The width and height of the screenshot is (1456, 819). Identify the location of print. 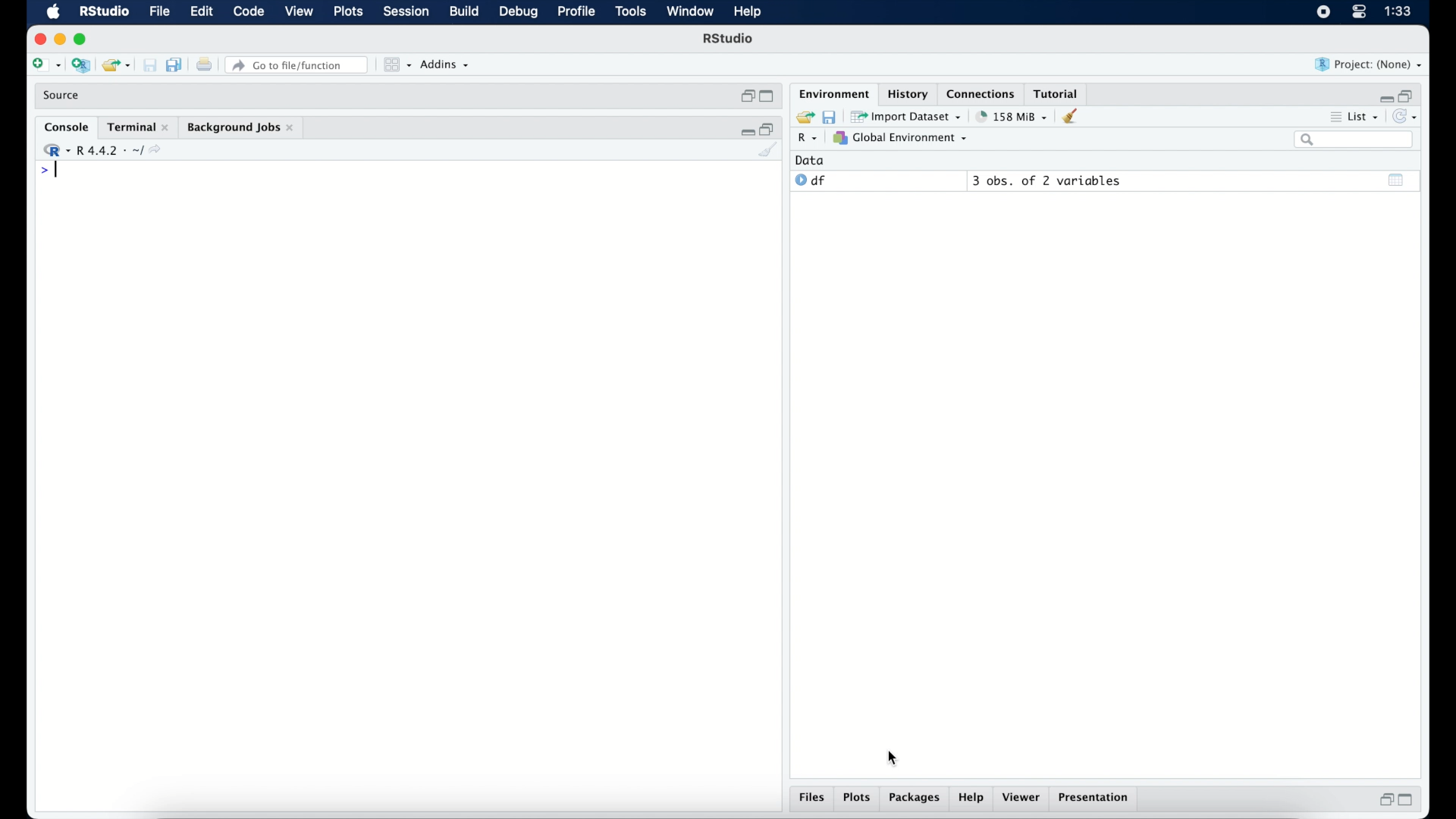
(203, 64).